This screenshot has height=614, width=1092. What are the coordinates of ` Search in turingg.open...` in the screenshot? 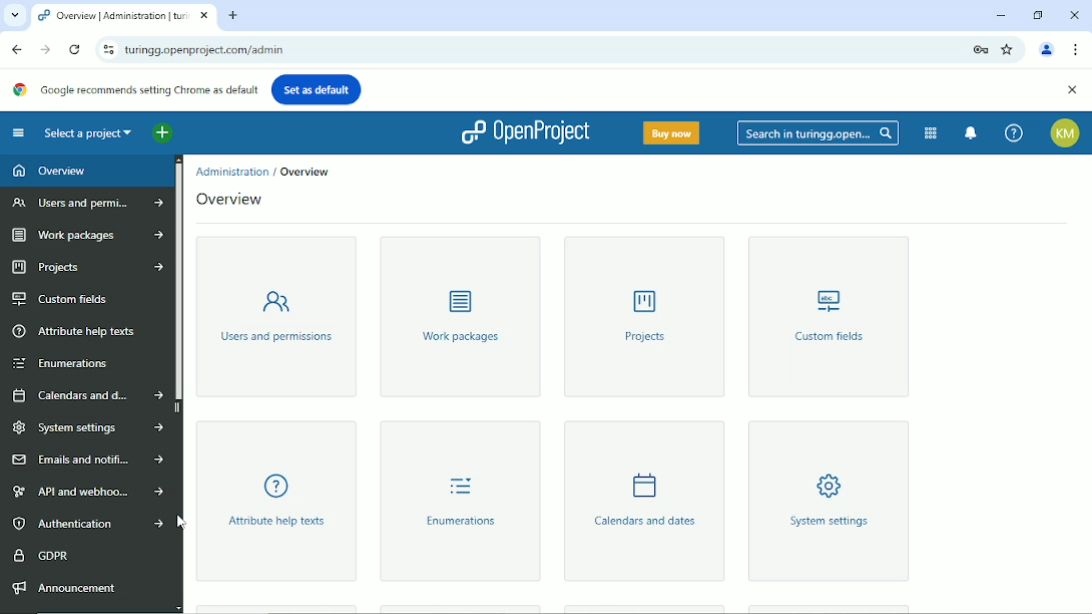 It's located at (818, 133).